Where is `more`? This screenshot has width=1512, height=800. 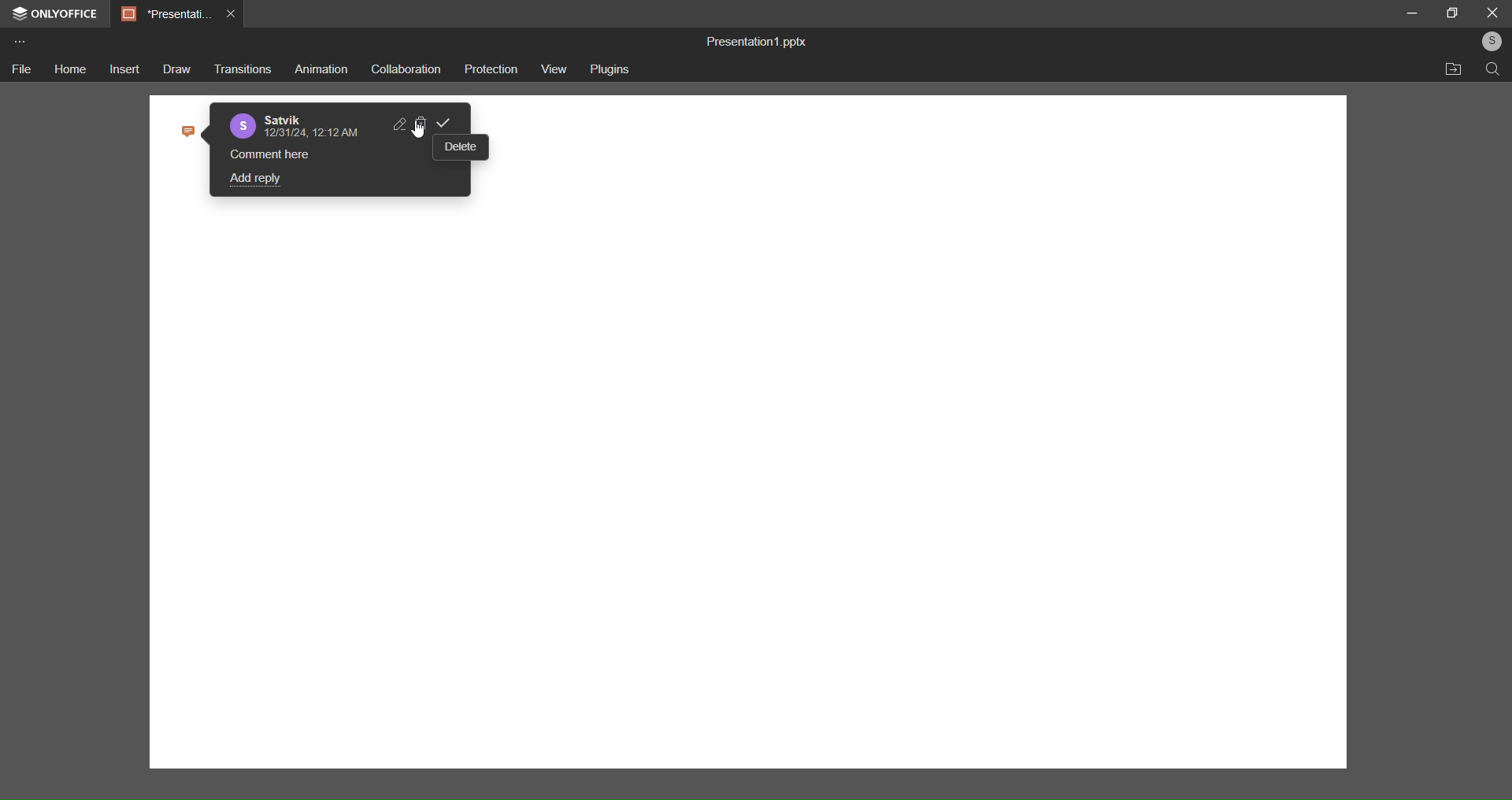
more is located at coordinates (20, 41).